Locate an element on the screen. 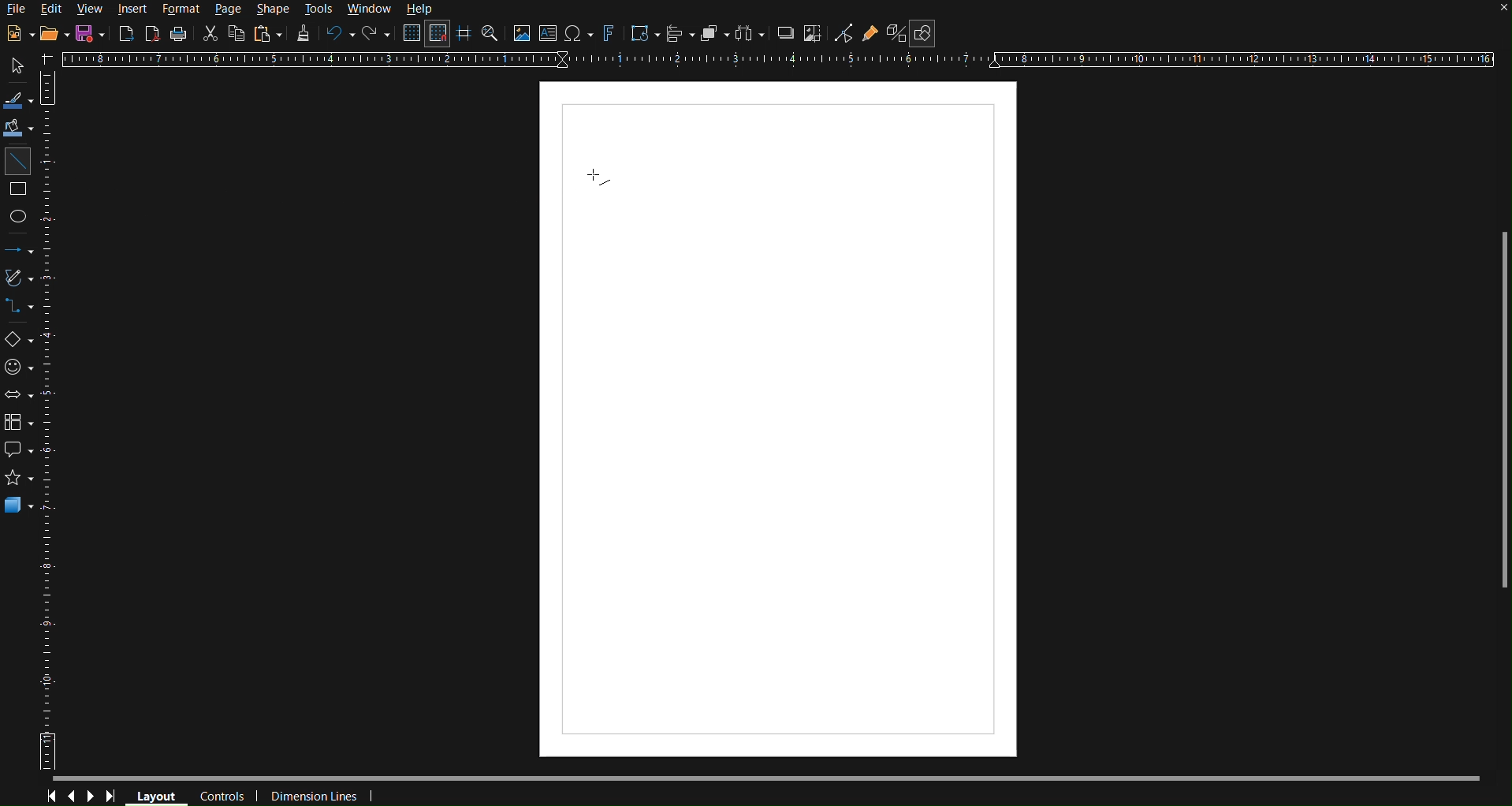 The width and height of the screenshot is (1512, 806). Crop Image is located at coordinates (815, 32).